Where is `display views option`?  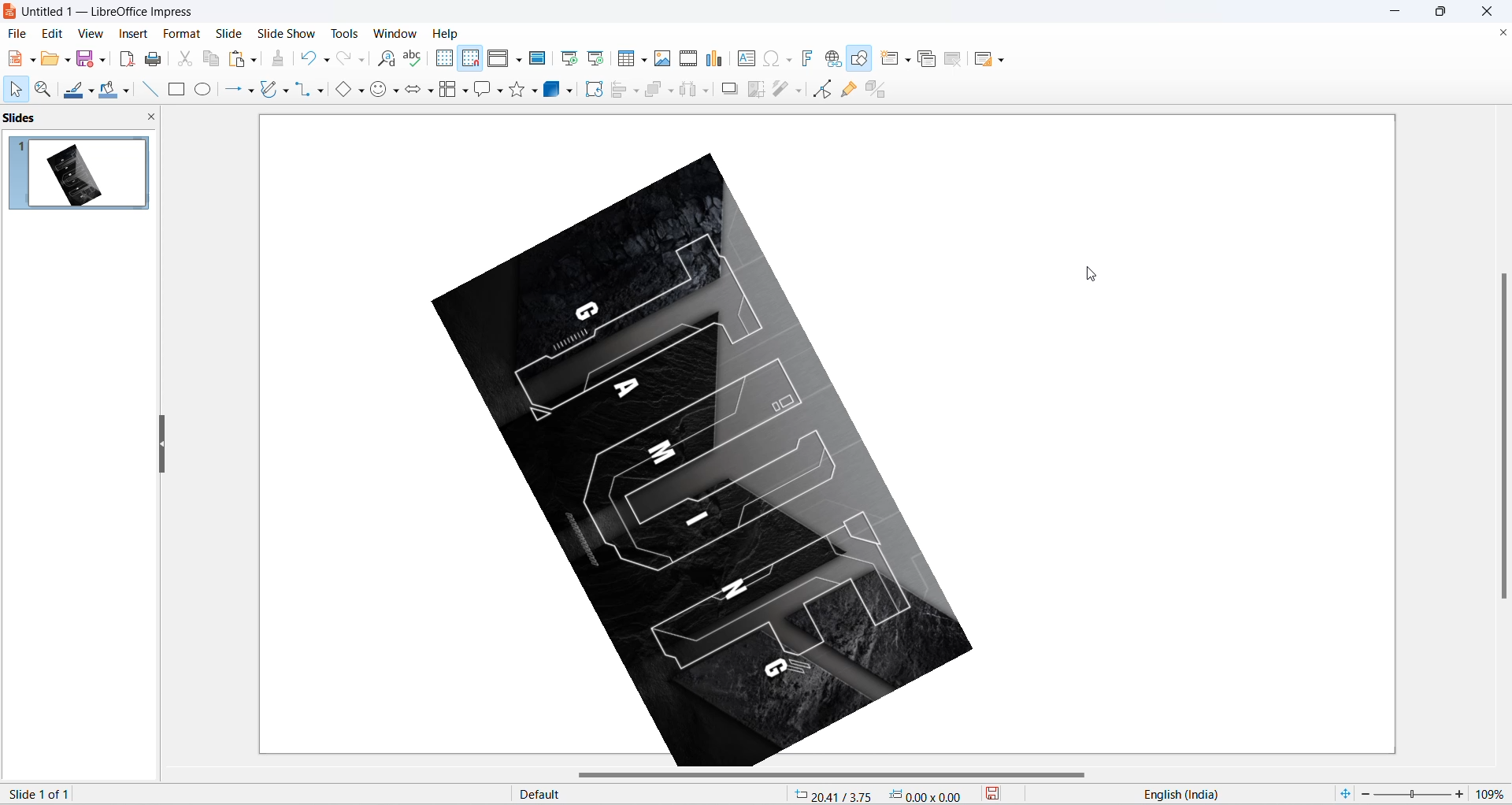 display views option is located at coordinates (519, 61).